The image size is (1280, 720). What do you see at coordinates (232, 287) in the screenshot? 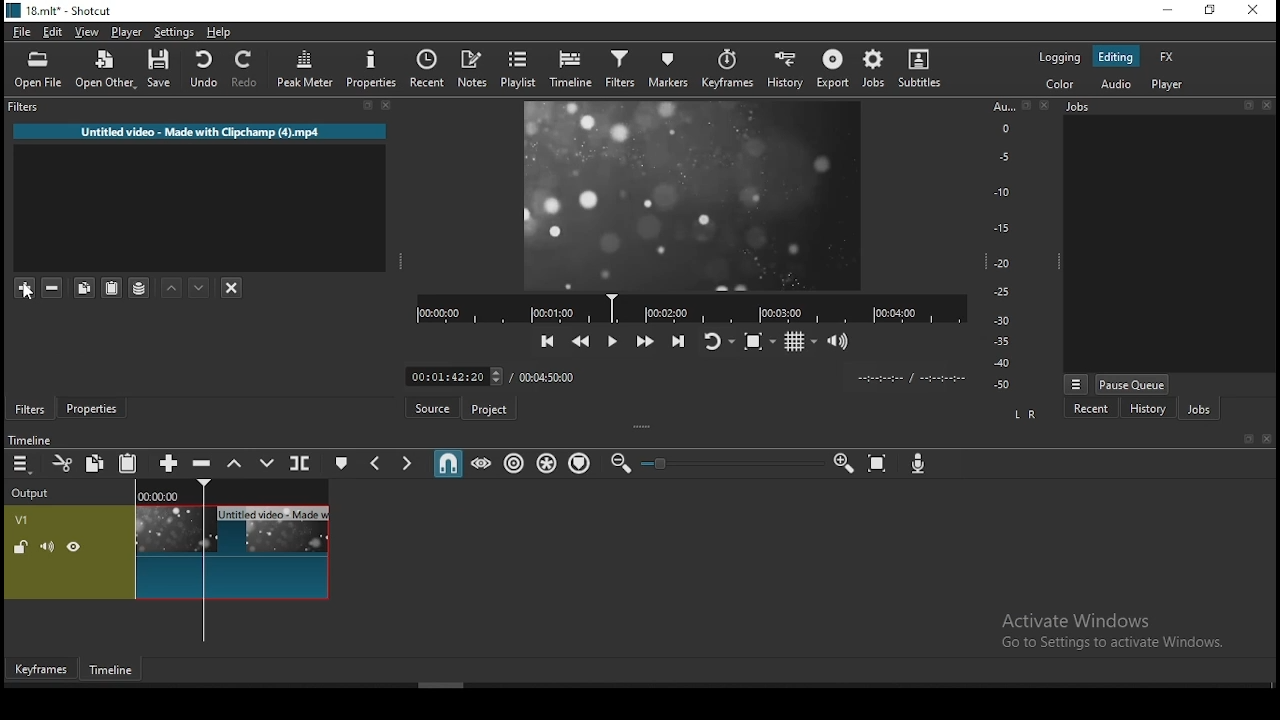
I see `deselect filter` at bounding box center [232, 287].